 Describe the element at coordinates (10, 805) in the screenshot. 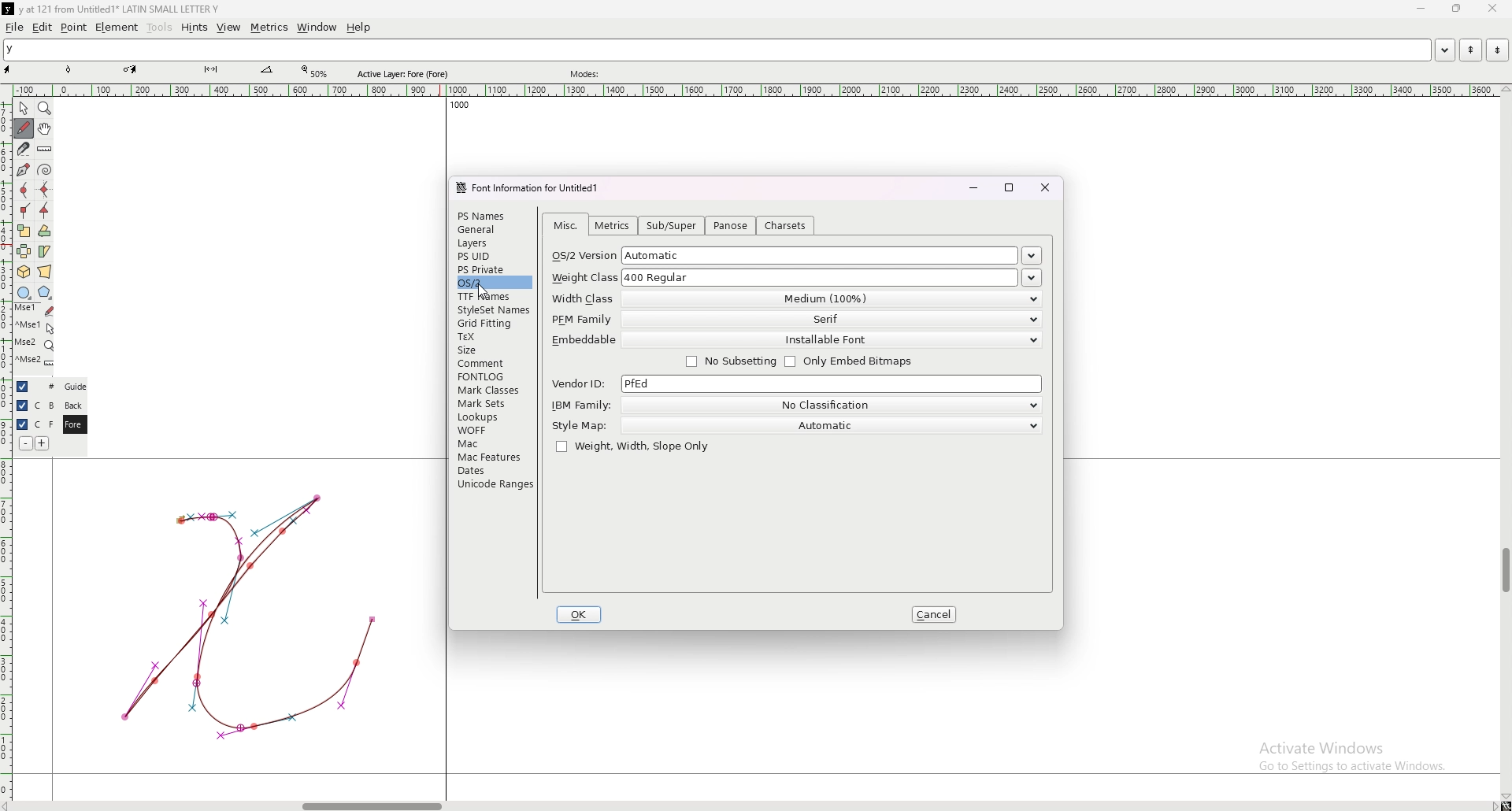

I see `scroll right` at that location.